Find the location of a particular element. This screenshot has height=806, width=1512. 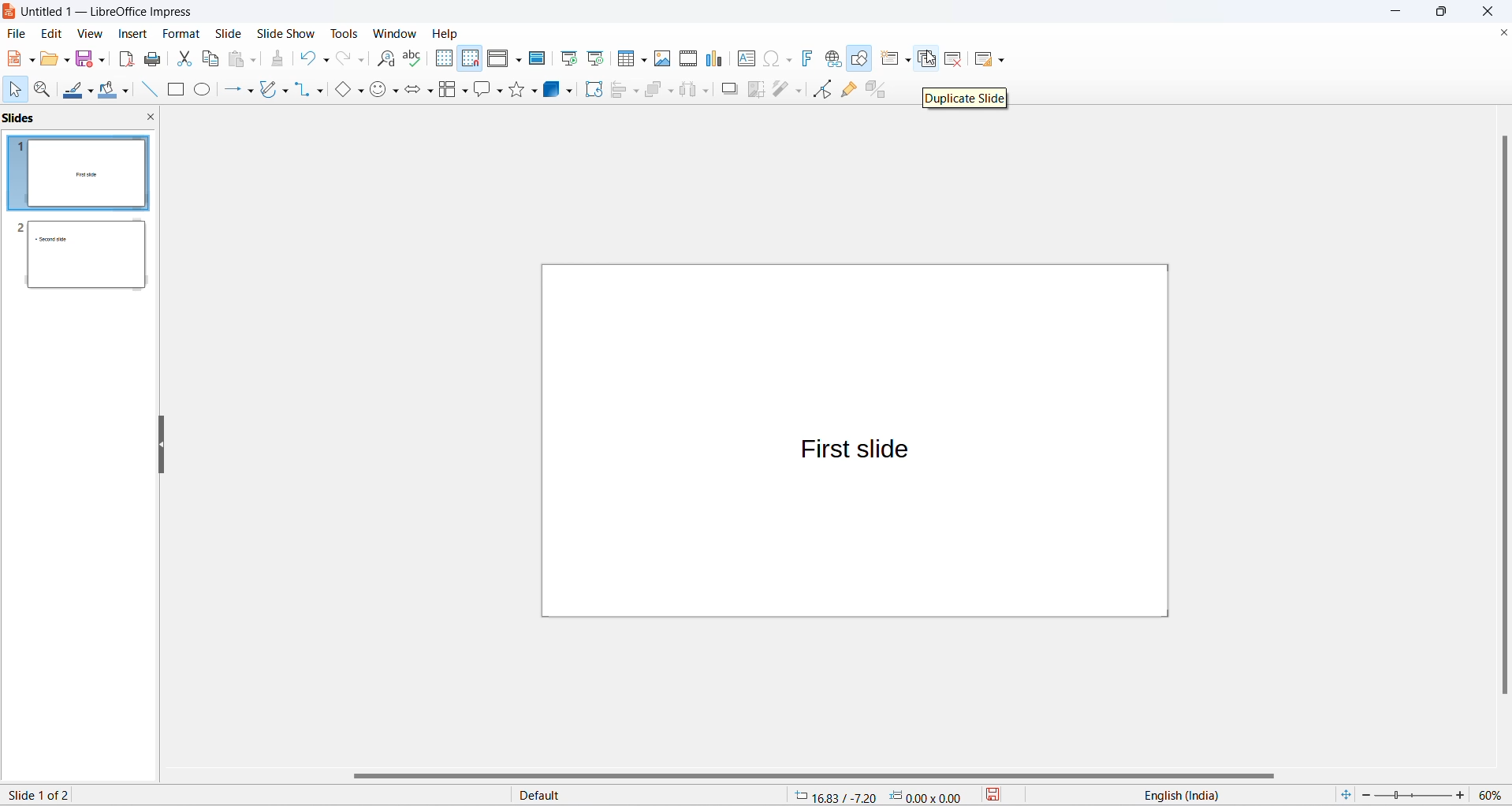

delete slide is located at coordinates (954, 60).